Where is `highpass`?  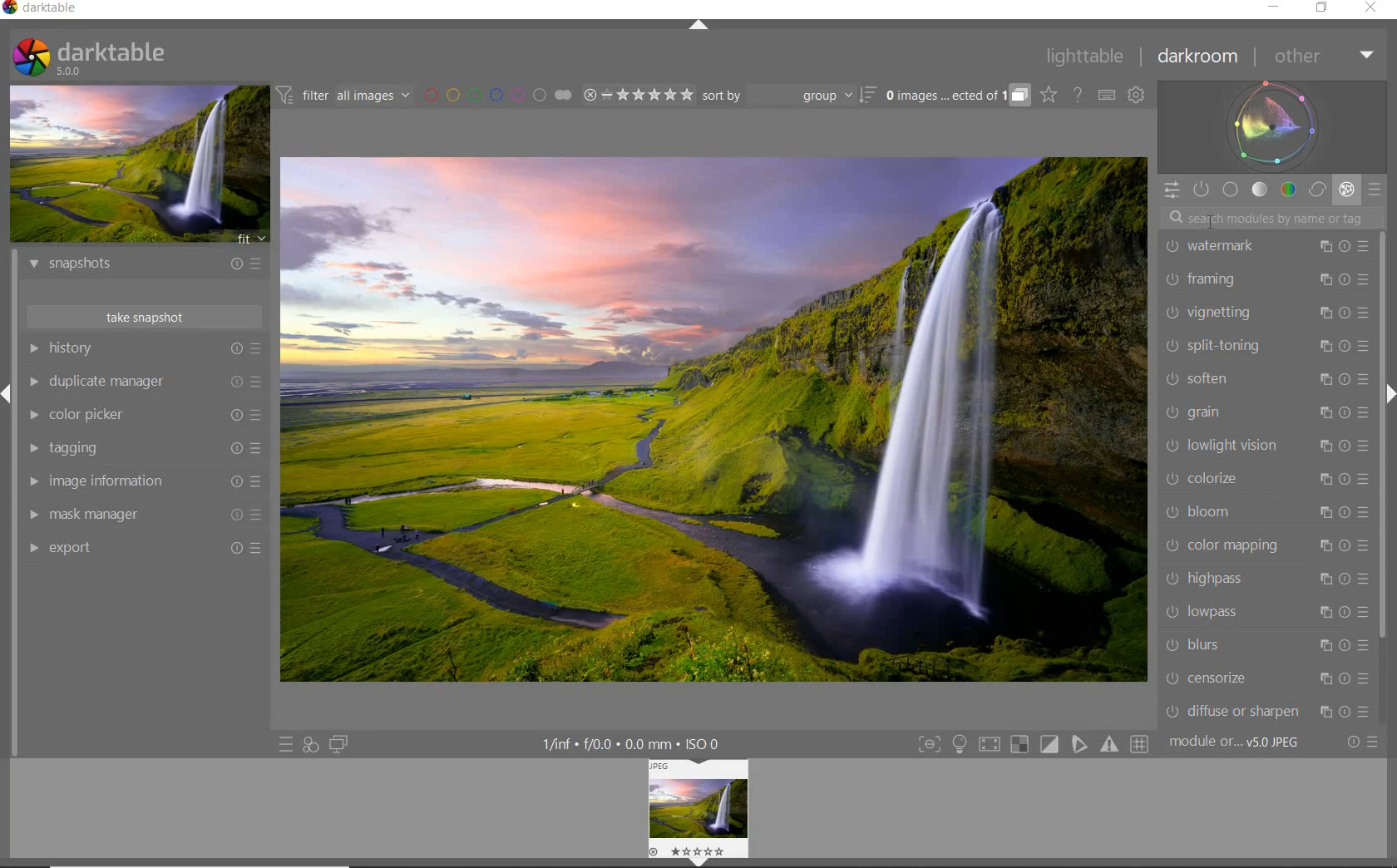
highpass is located at coordinates (1266, 581).